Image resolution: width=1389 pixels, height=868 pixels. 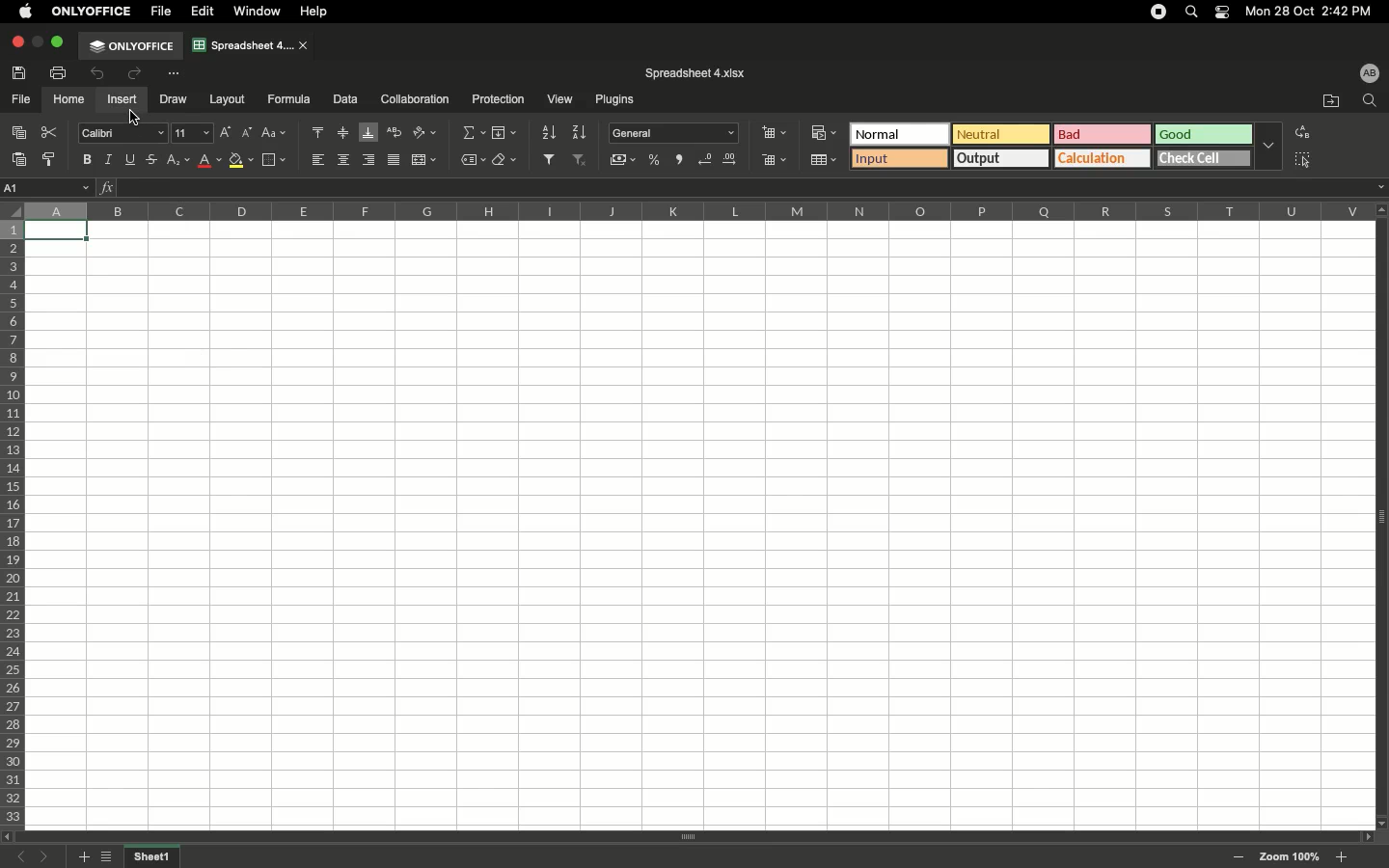 What do you see at coordinates (60, 72) in the screenshot?
I see `Print` at bounding box center [60, 72].